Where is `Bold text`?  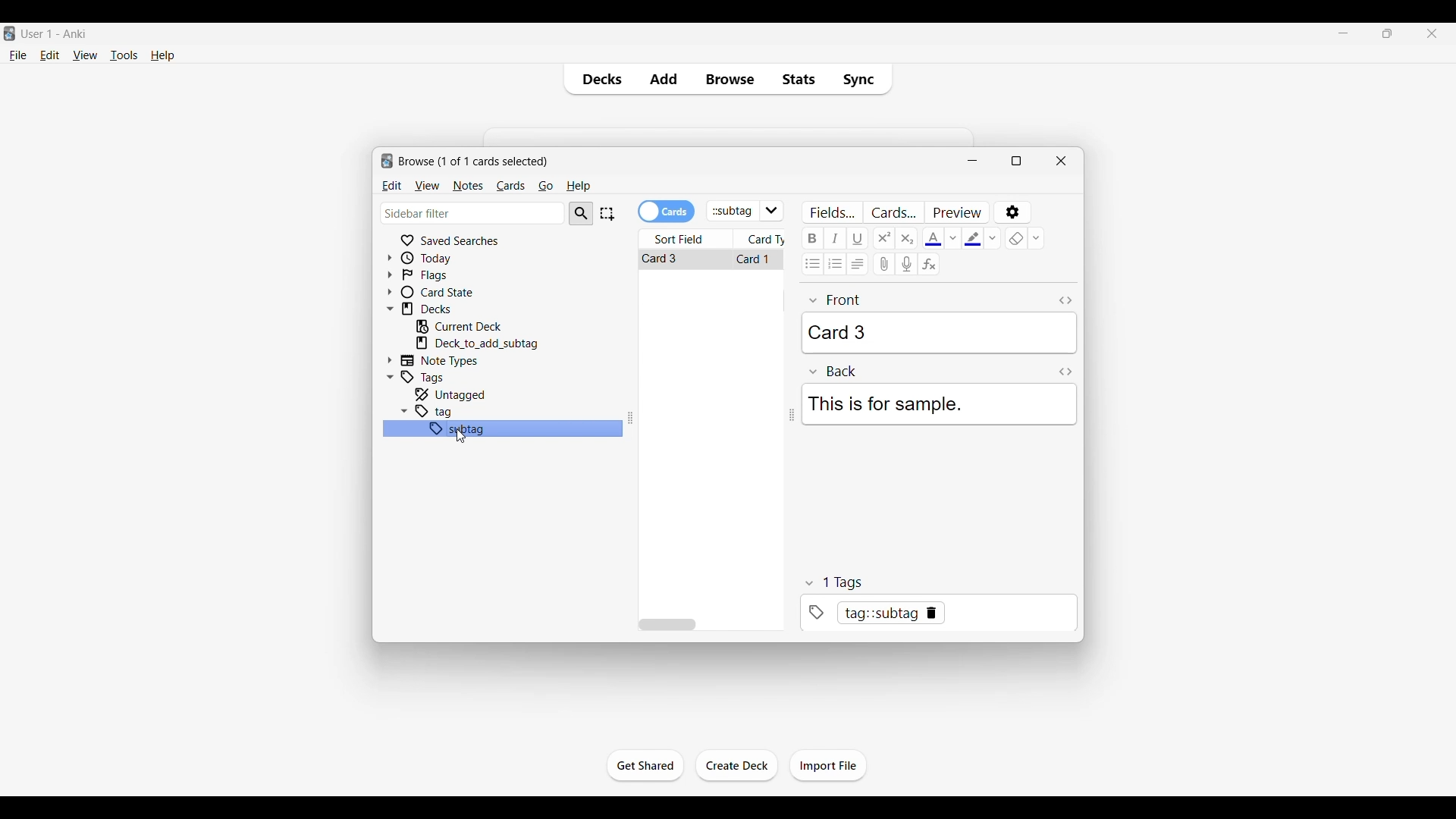 Bold text is located at coordinates (812, 238).